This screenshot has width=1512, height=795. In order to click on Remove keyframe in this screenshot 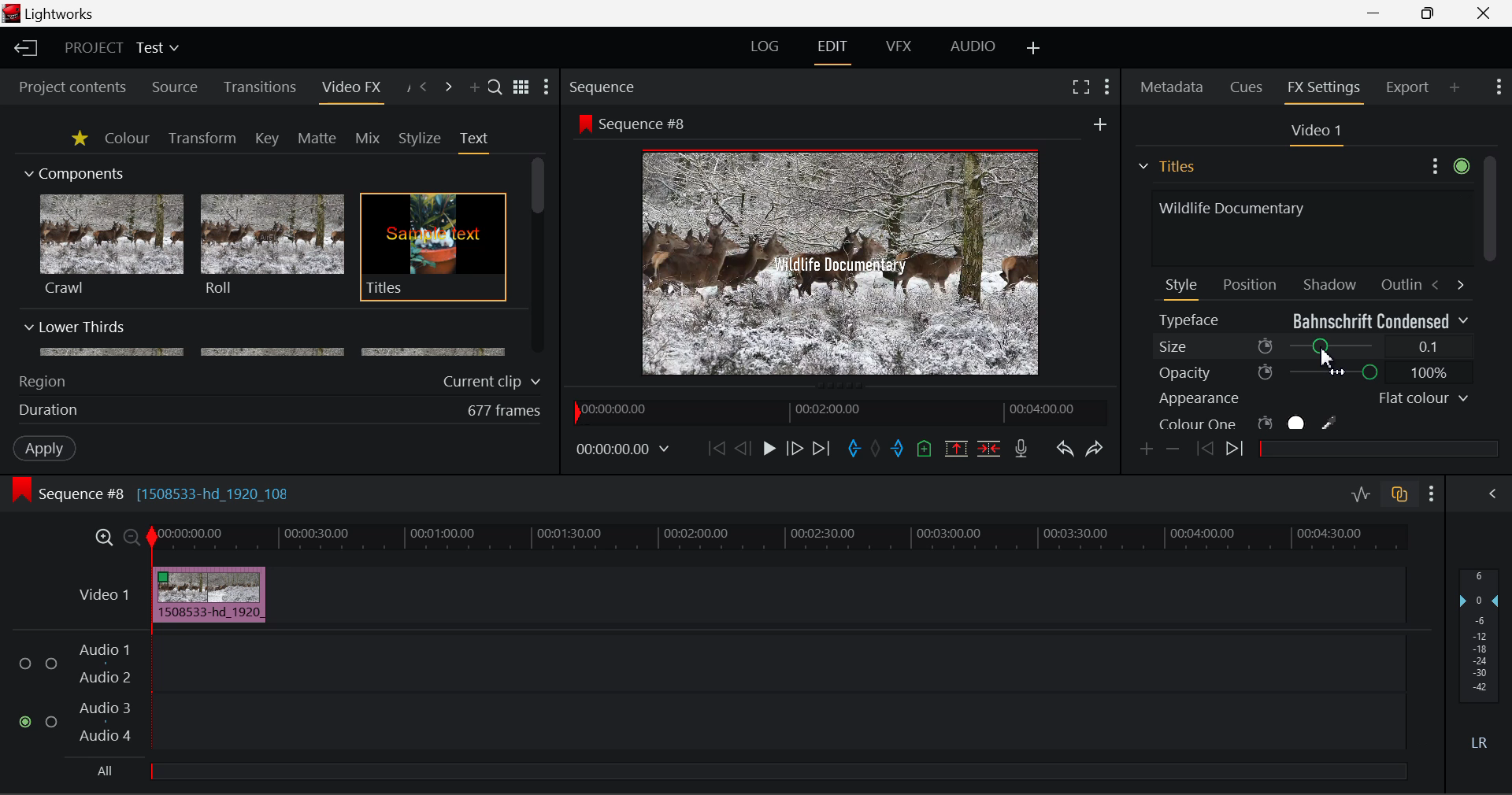, I will do `click(1173, 451)`.